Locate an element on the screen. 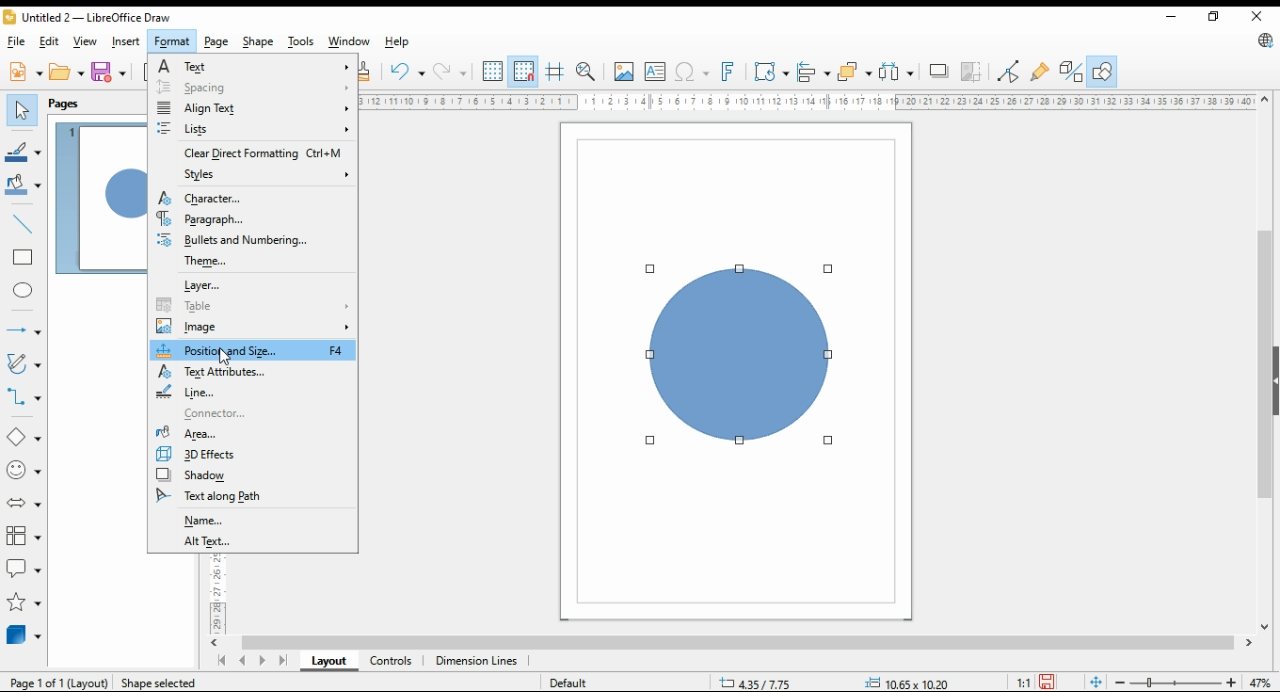 The image size is (1280, 692). scroll bar is located at coordinates (727, 643).